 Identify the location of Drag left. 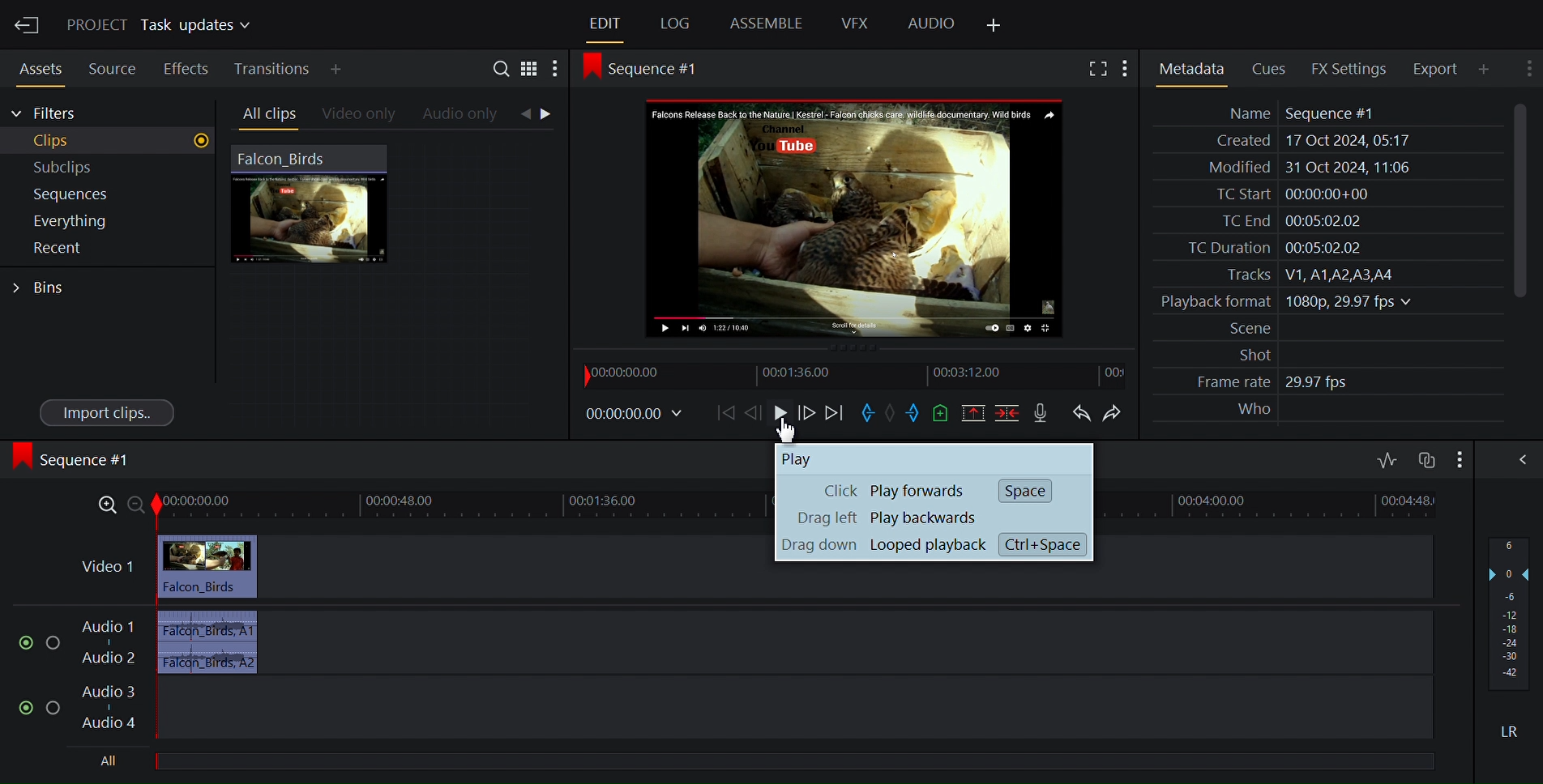
(822, 520).